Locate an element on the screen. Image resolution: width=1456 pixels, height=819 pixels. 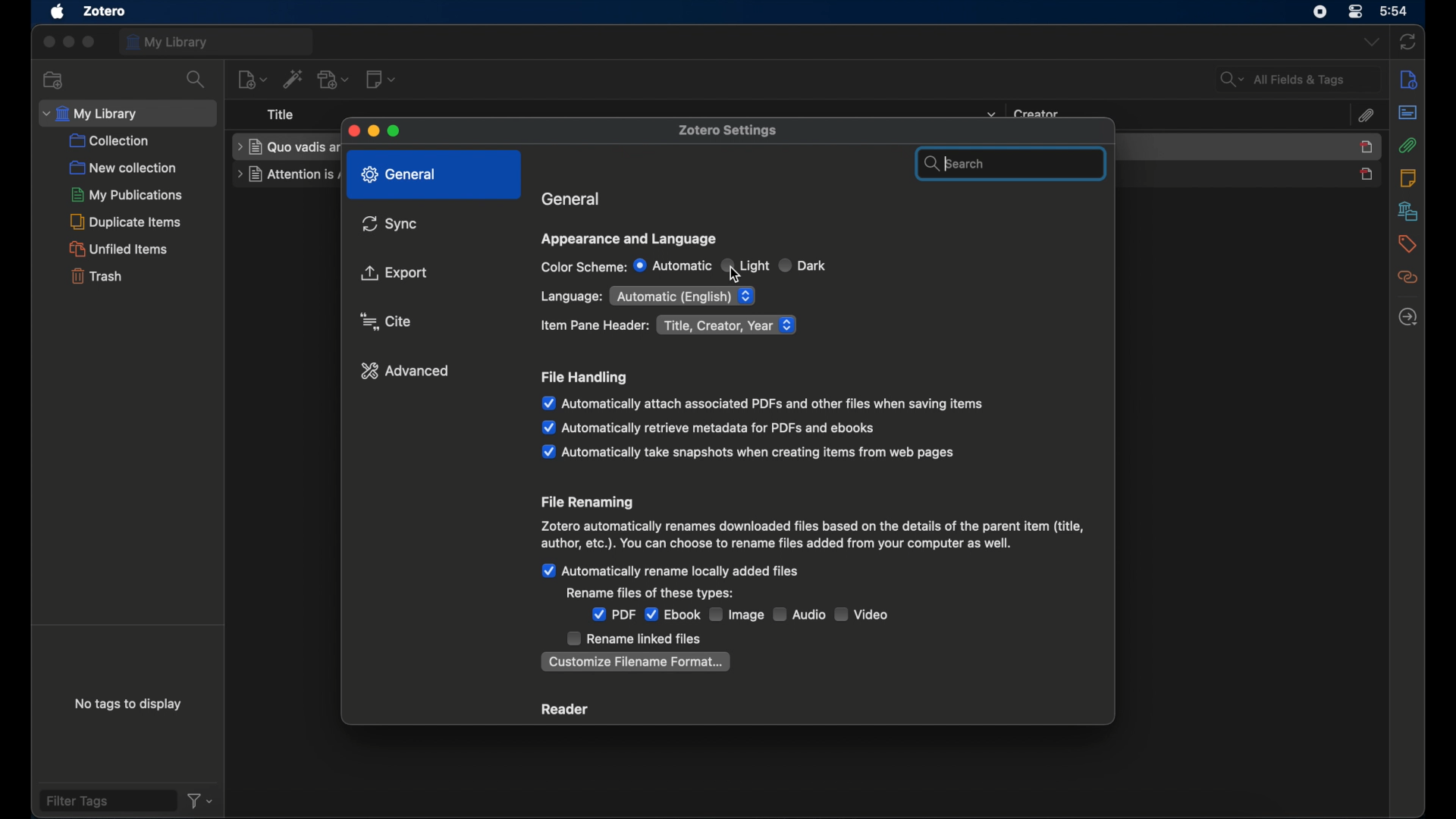
no tags to display is located at coordinates (127, 704).